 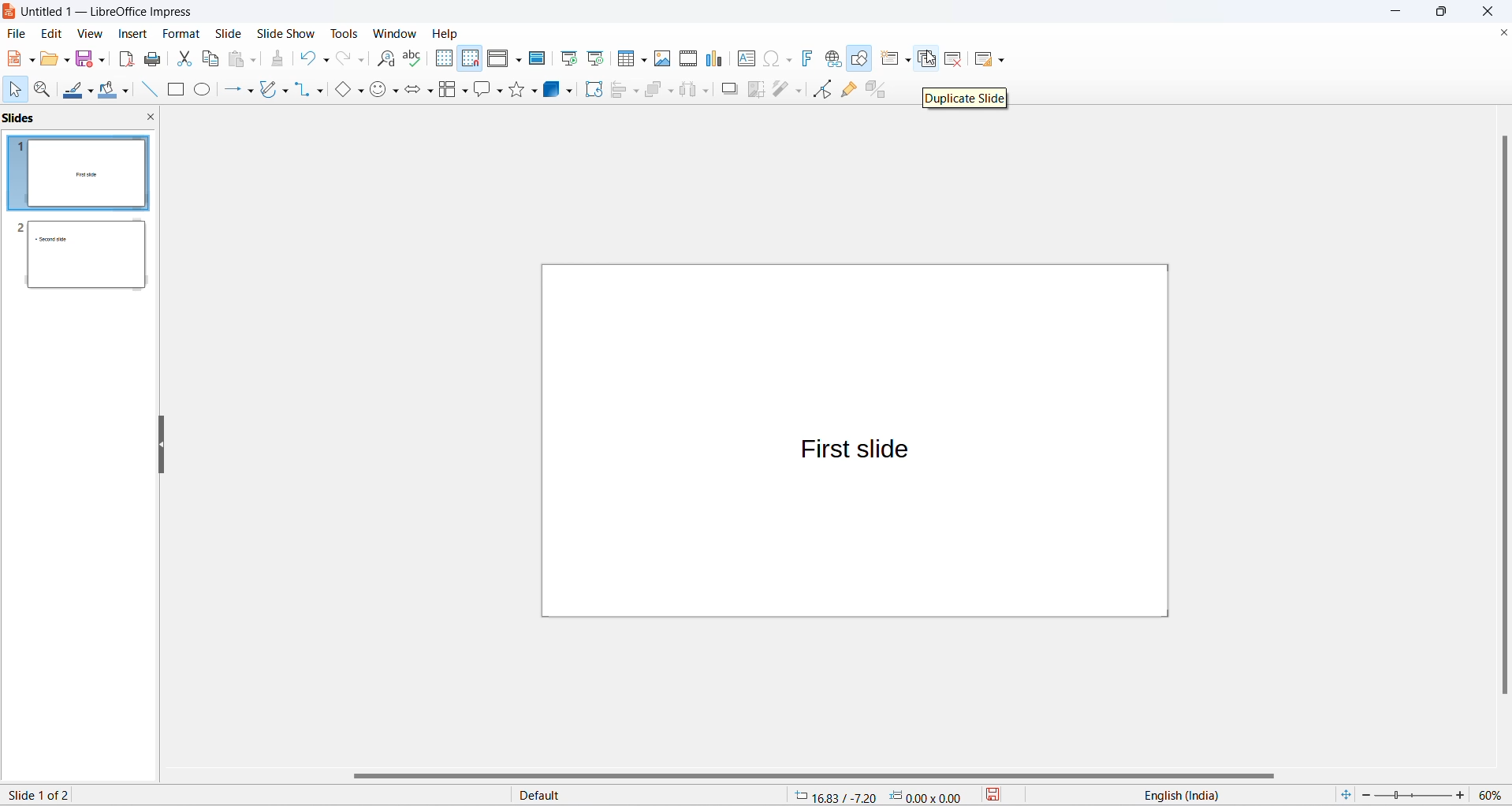 I want to click on format, so click(x=183, y=35).